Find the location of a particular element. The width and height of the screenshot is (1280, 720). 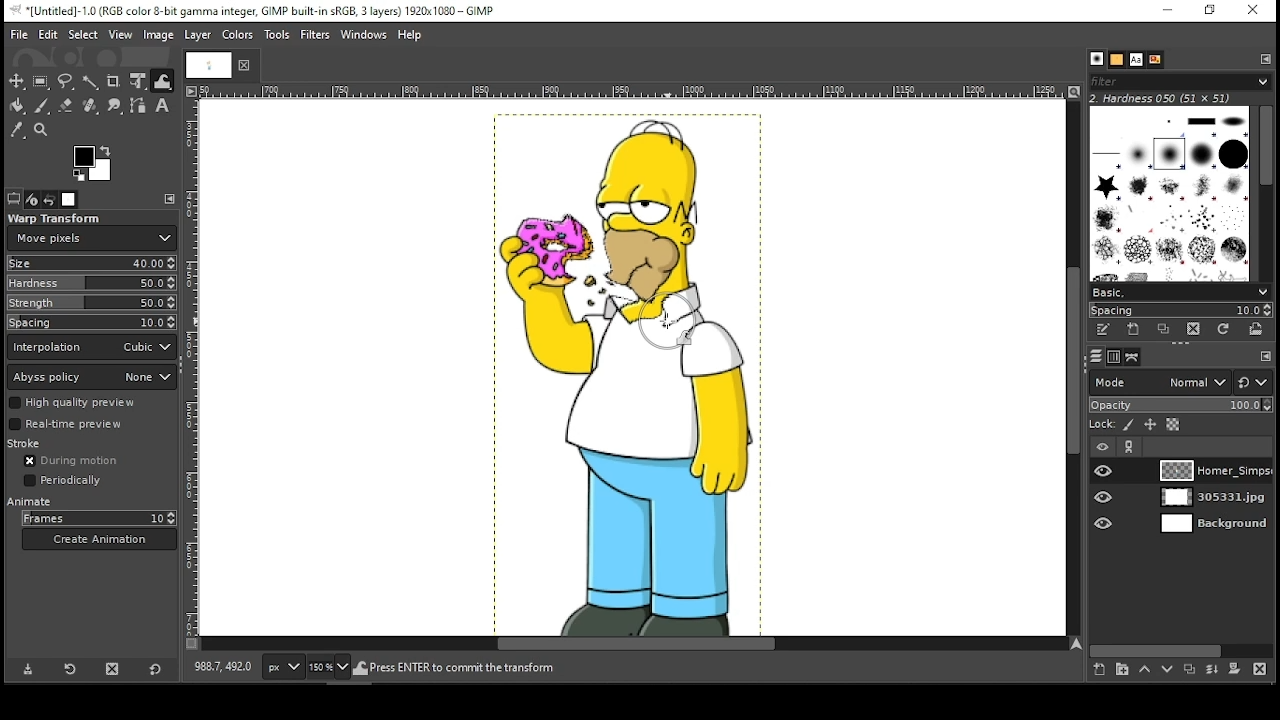

scroll bar is located at coordinates (1179, 651).